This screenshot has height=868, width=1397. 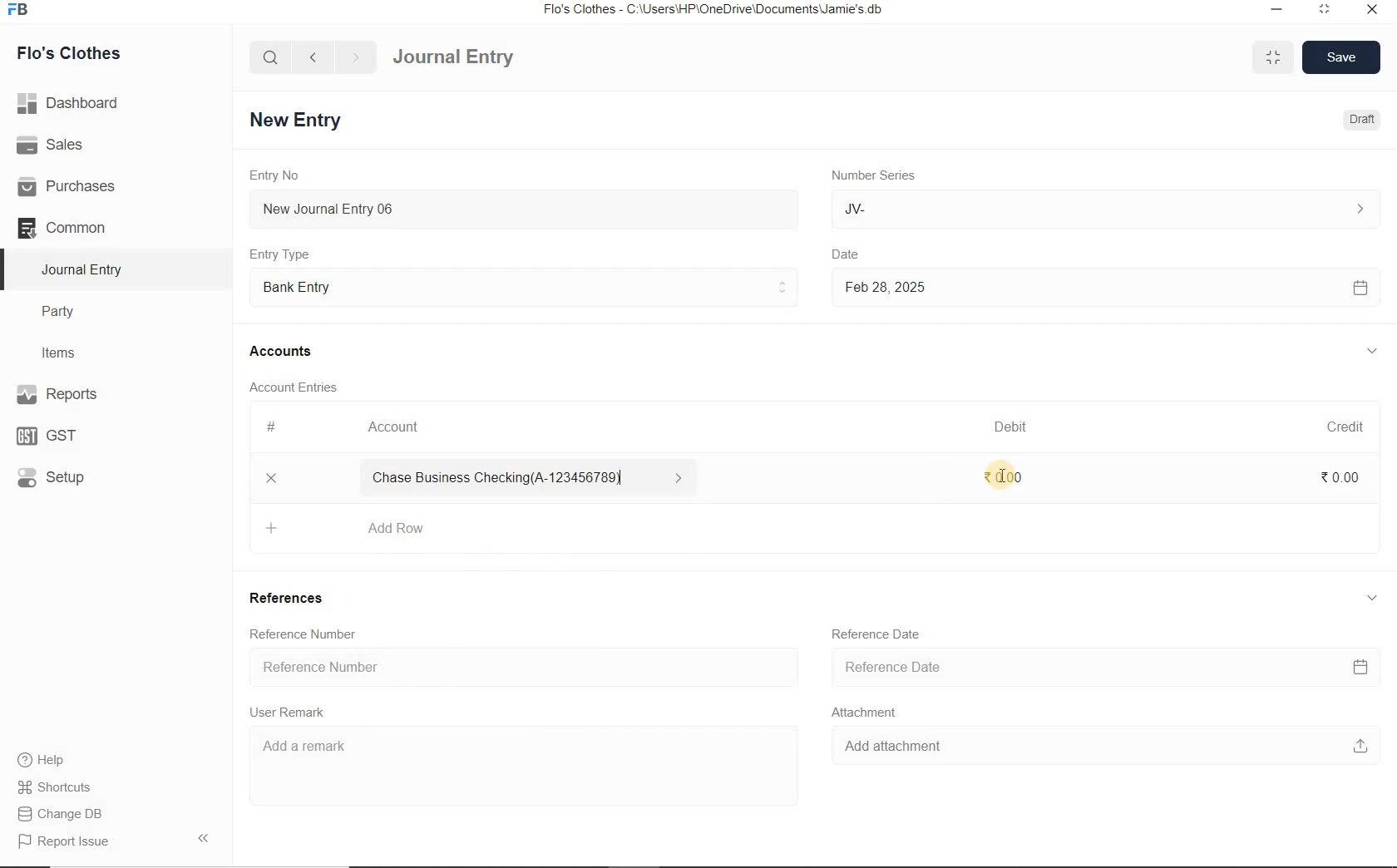 What do you see at coordinates (292, 713) in the screenshot?
I see `User Remark` at bounding box center [292, 713].